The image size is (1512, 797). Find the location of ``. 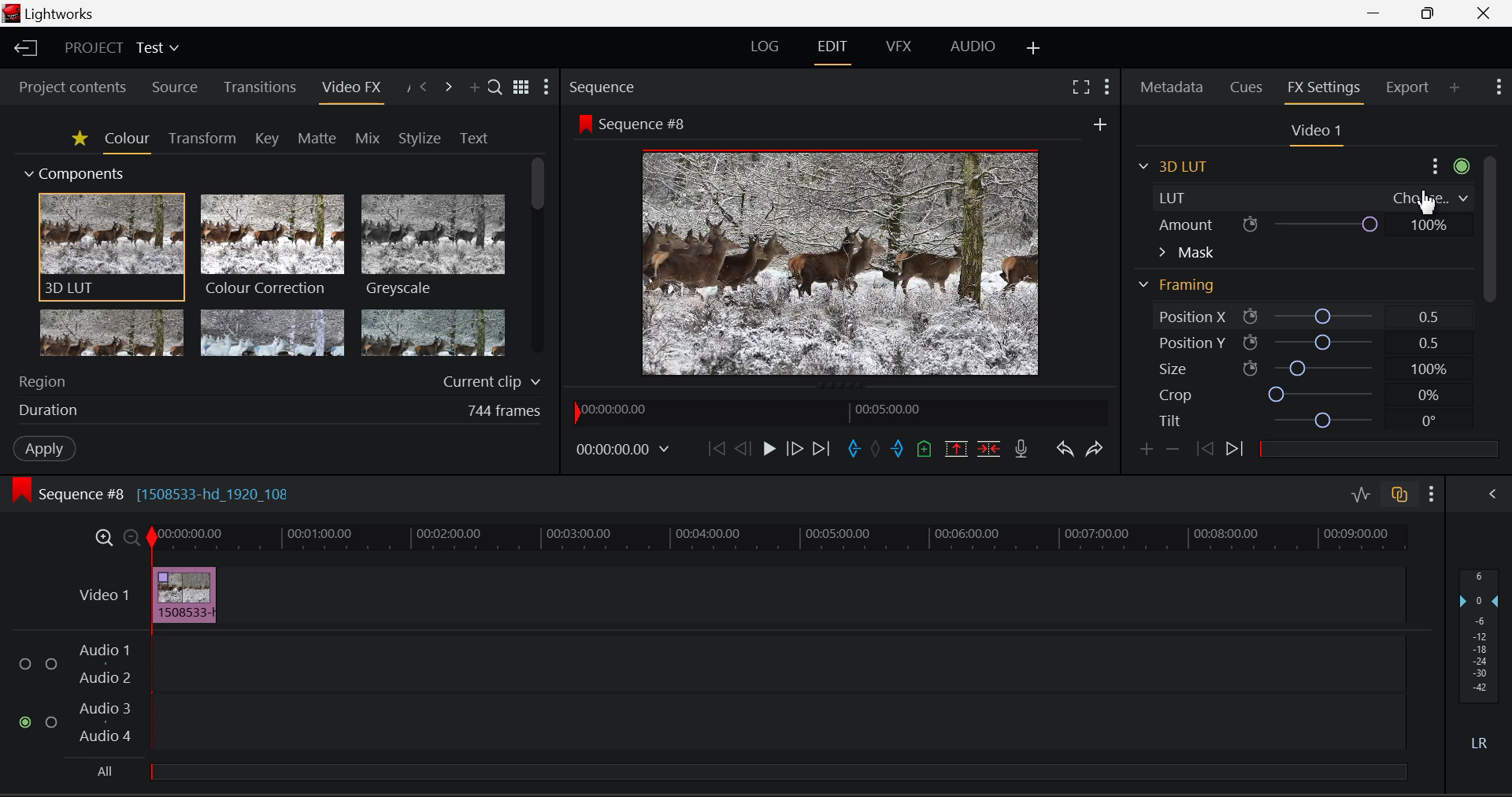

 is located at coordinates (1099, 124).